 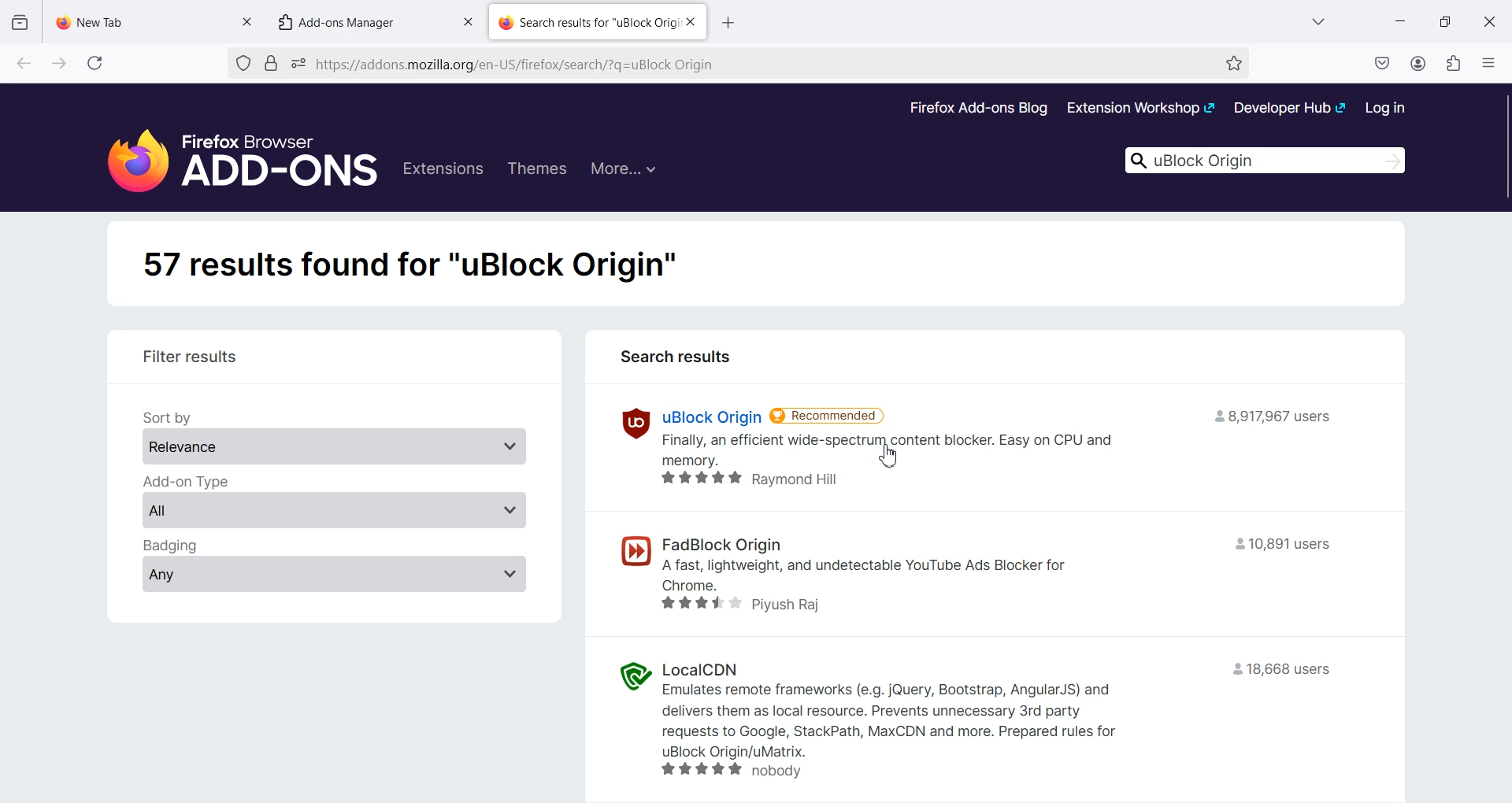 I want to click on Extensions, so click(x=1453, y=63).